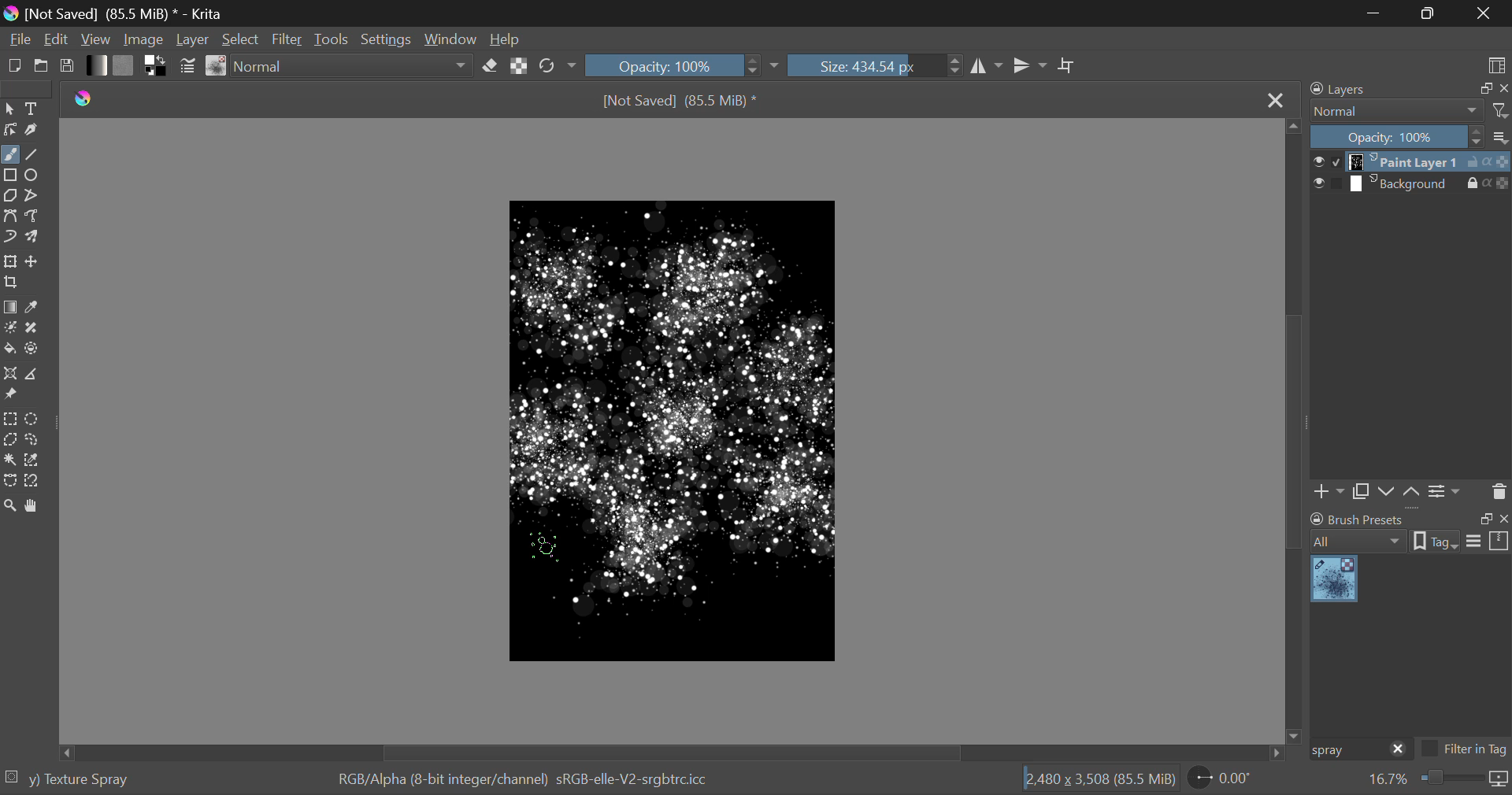  What do you see at coordinates (1378, 13) in the screenshot?
I see `Restore Down` at bounding box center [1378, 13].